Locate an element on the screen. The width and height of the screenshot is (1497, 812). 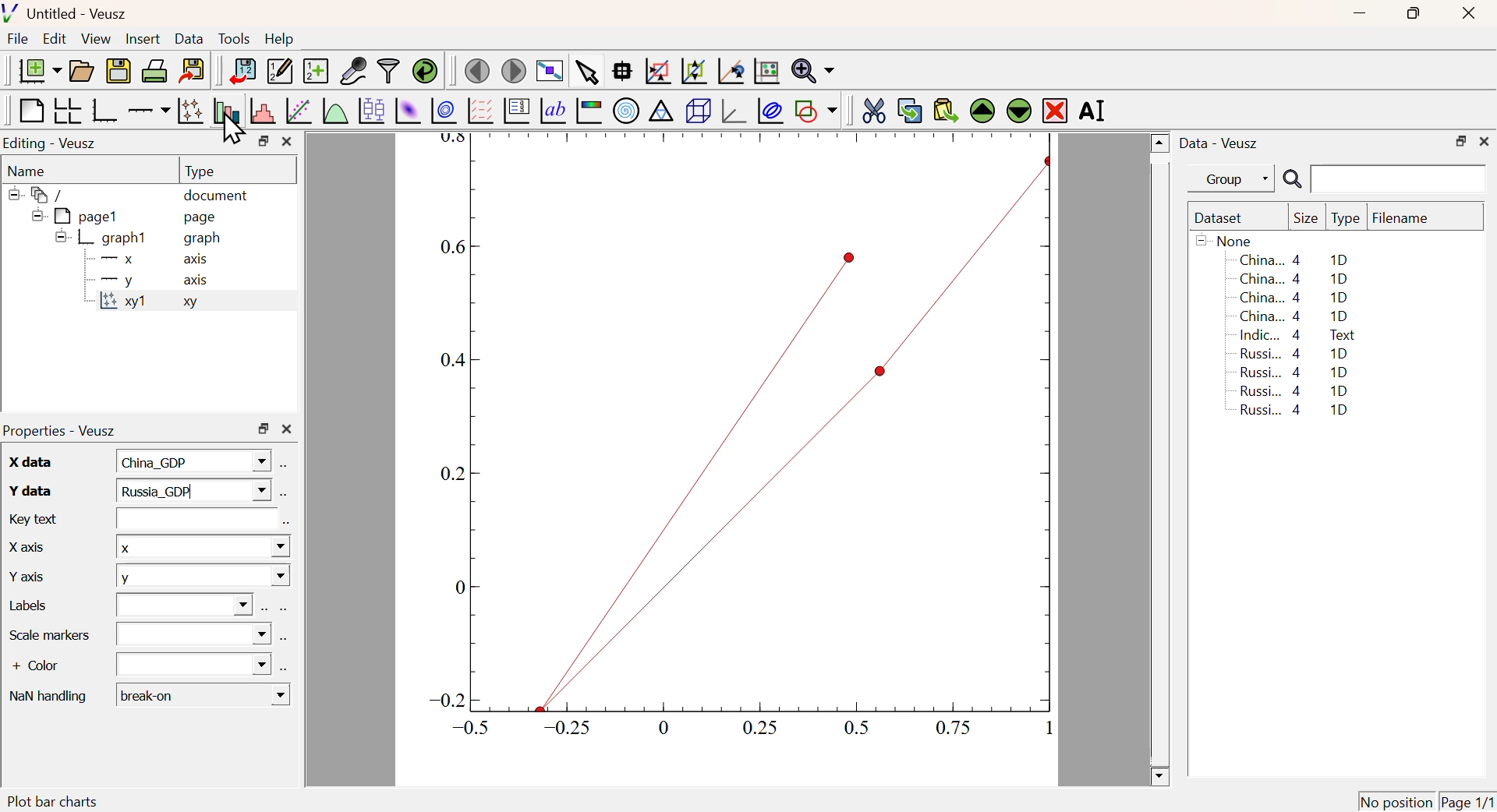
Previous Page is located at coordinates (478, 72).